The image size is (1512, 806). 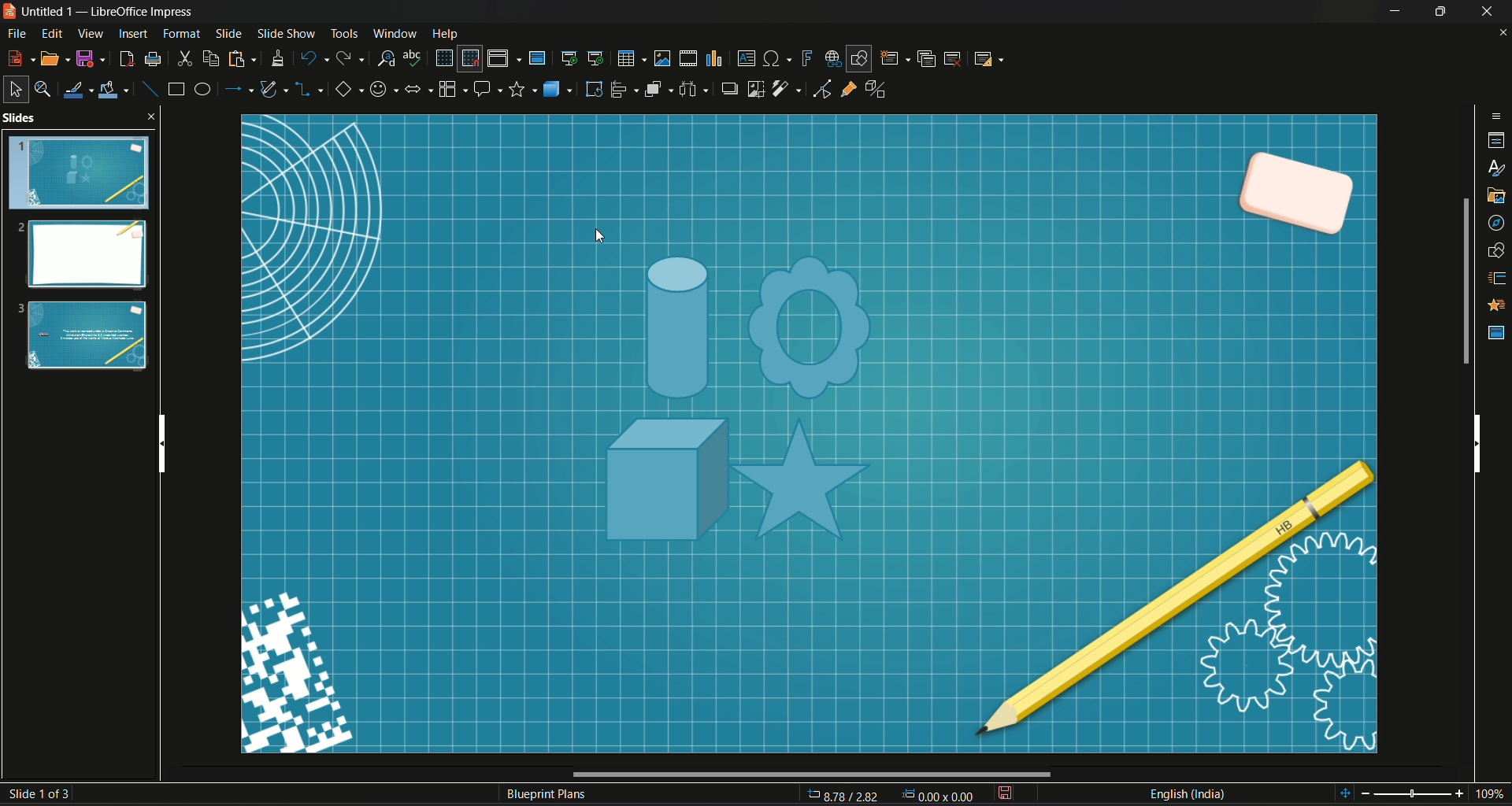 What do you see at coordinates (1488, 11) in the screenshot?
I see `Close` at bounding box center [1488, 11].